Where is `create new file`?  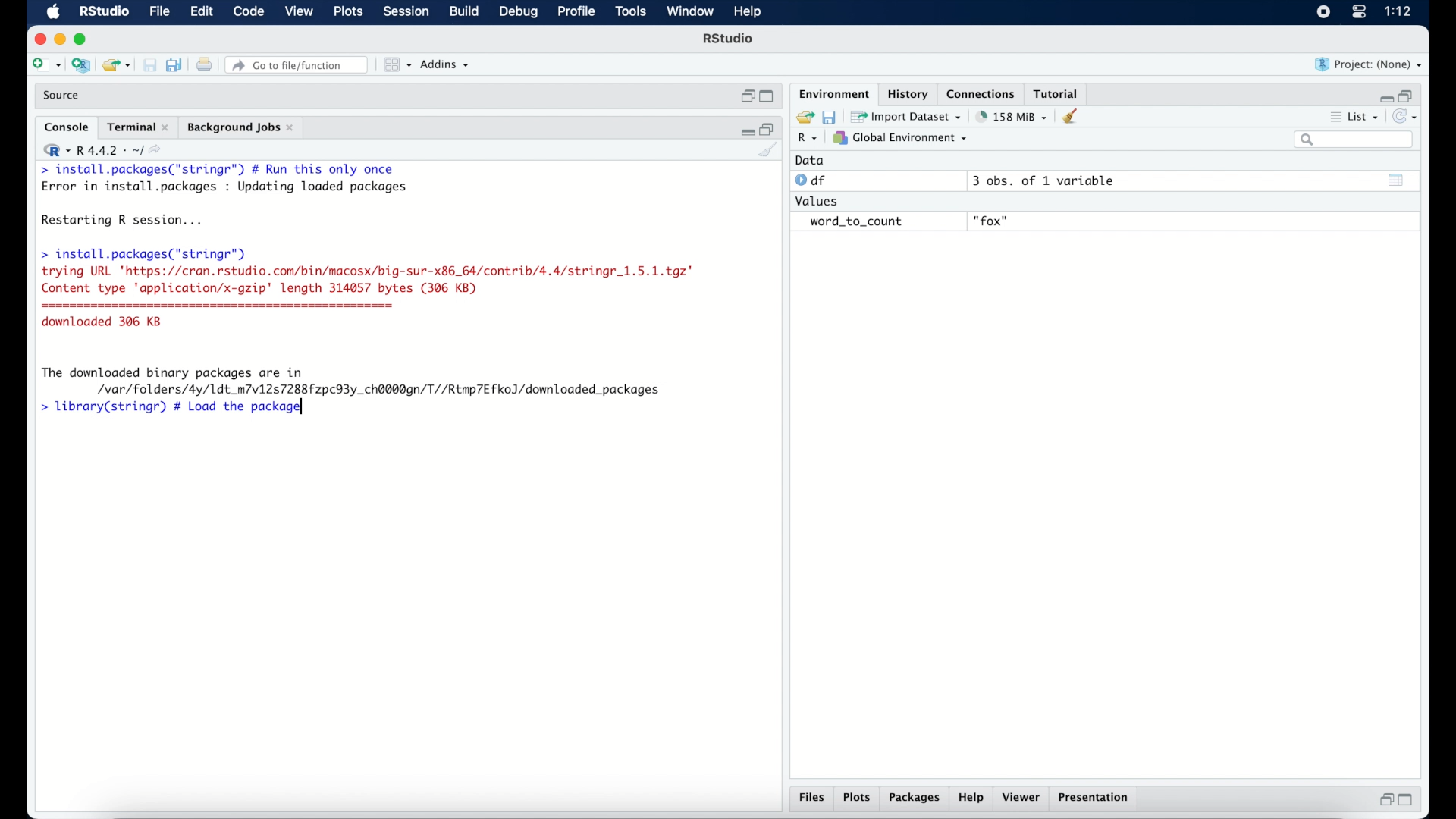
create new file is located at coordinates (45, 66).